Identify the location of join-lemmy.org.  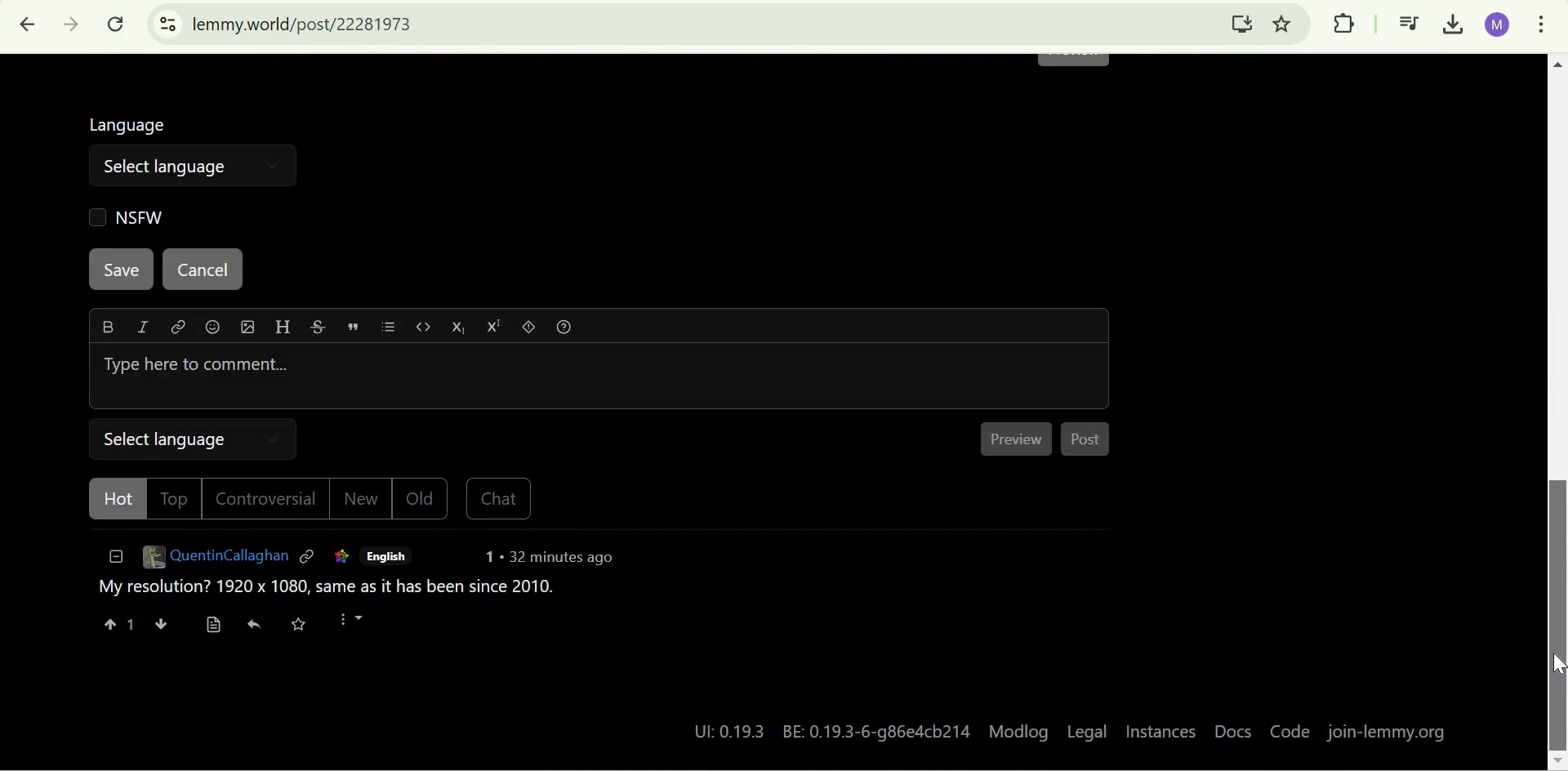
(1389, 733).